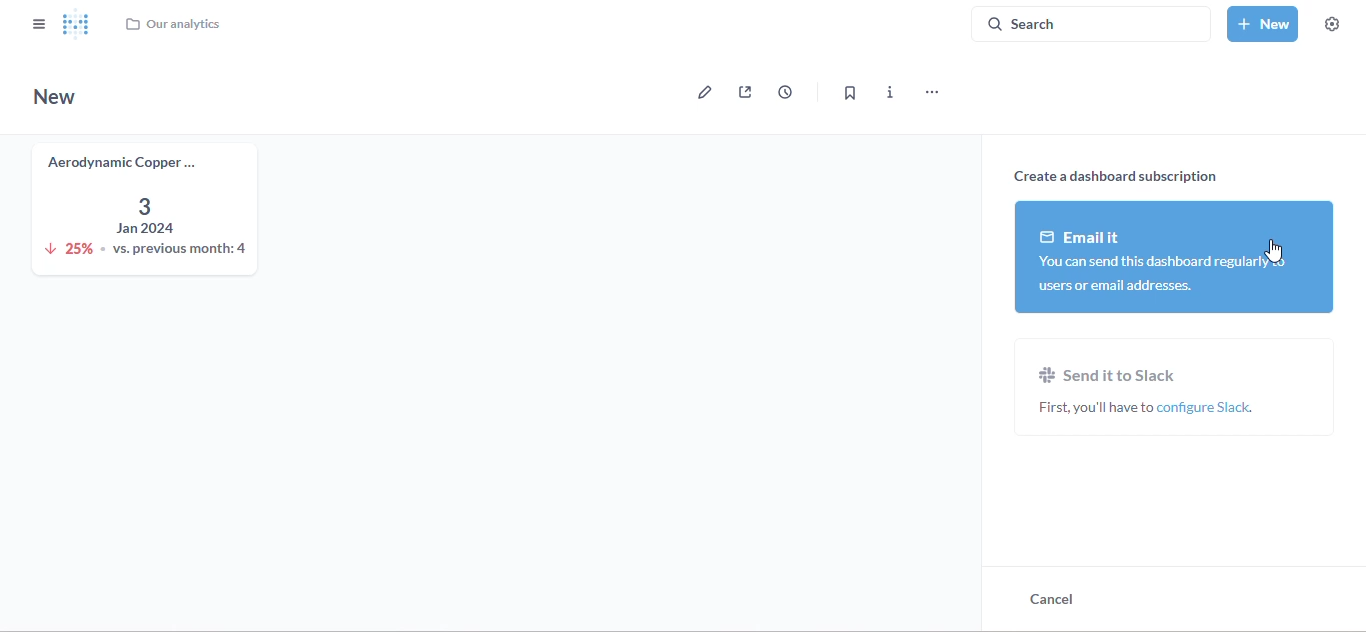  I want to click on settings, so click(1332, 24).